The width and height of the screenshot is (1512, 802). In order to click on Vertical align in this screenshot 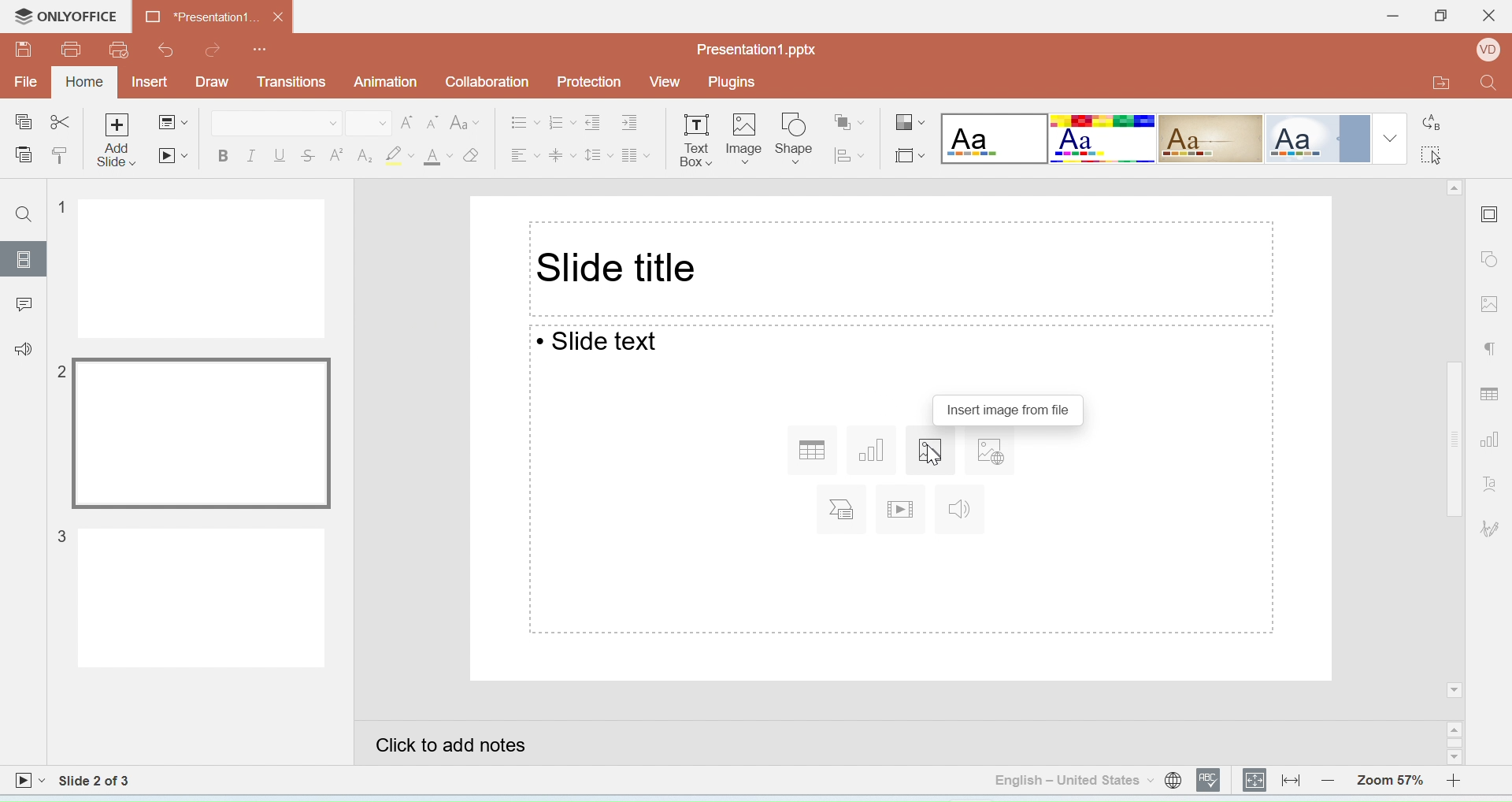, I will do `click(563, 153)`.